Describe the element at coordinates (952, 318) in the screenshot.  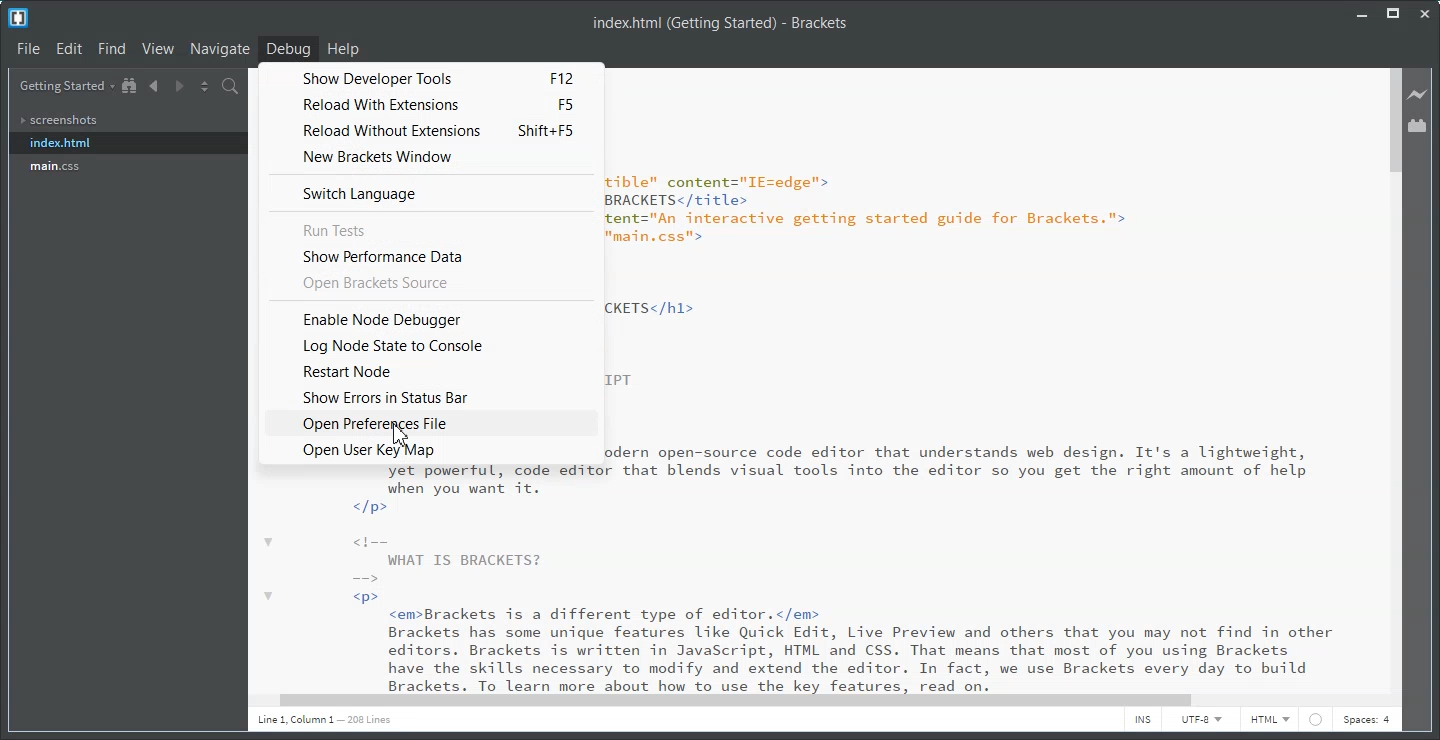
I see `Text 3` at that location.